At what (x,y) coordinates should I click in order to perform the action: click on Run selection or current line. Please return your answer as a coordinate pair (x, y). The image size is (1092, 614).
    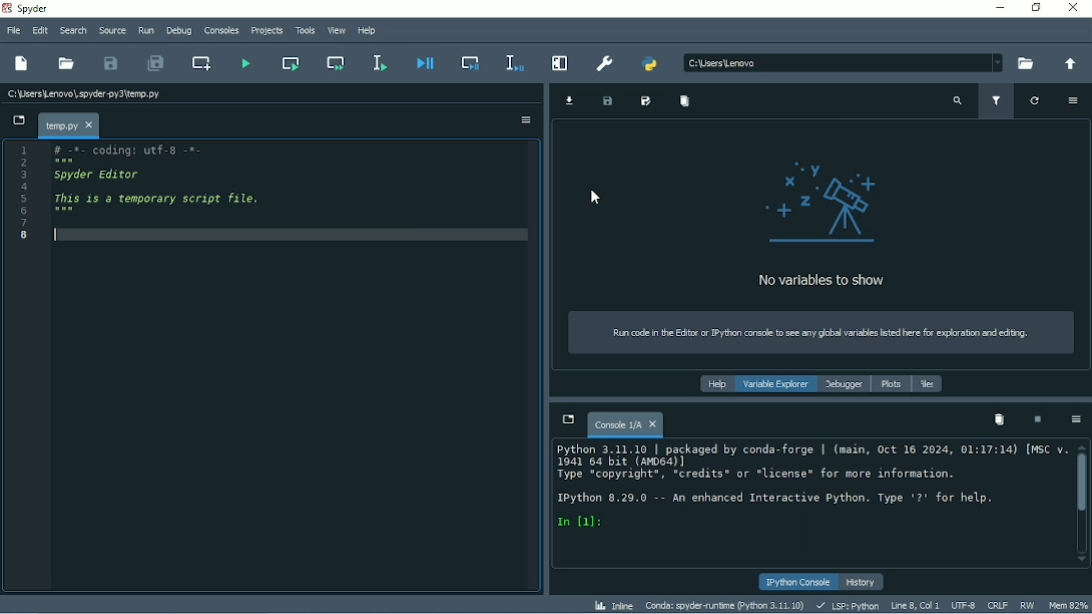
    Looking at the image, I should click on (380, 63).